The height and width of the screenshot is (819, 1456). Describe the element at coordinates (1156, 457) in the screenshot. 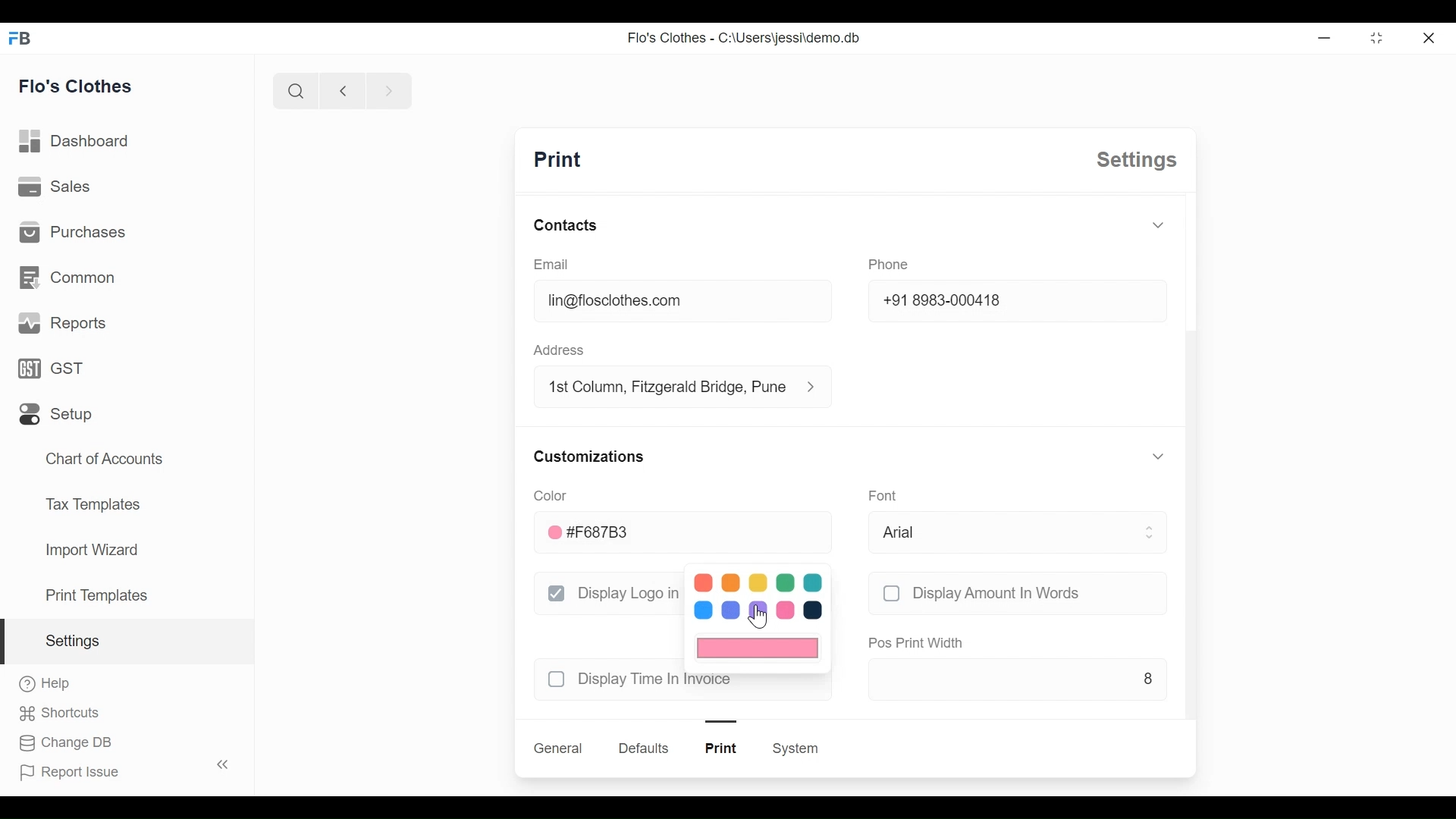

I see `toggle expand/collapse` at that location.